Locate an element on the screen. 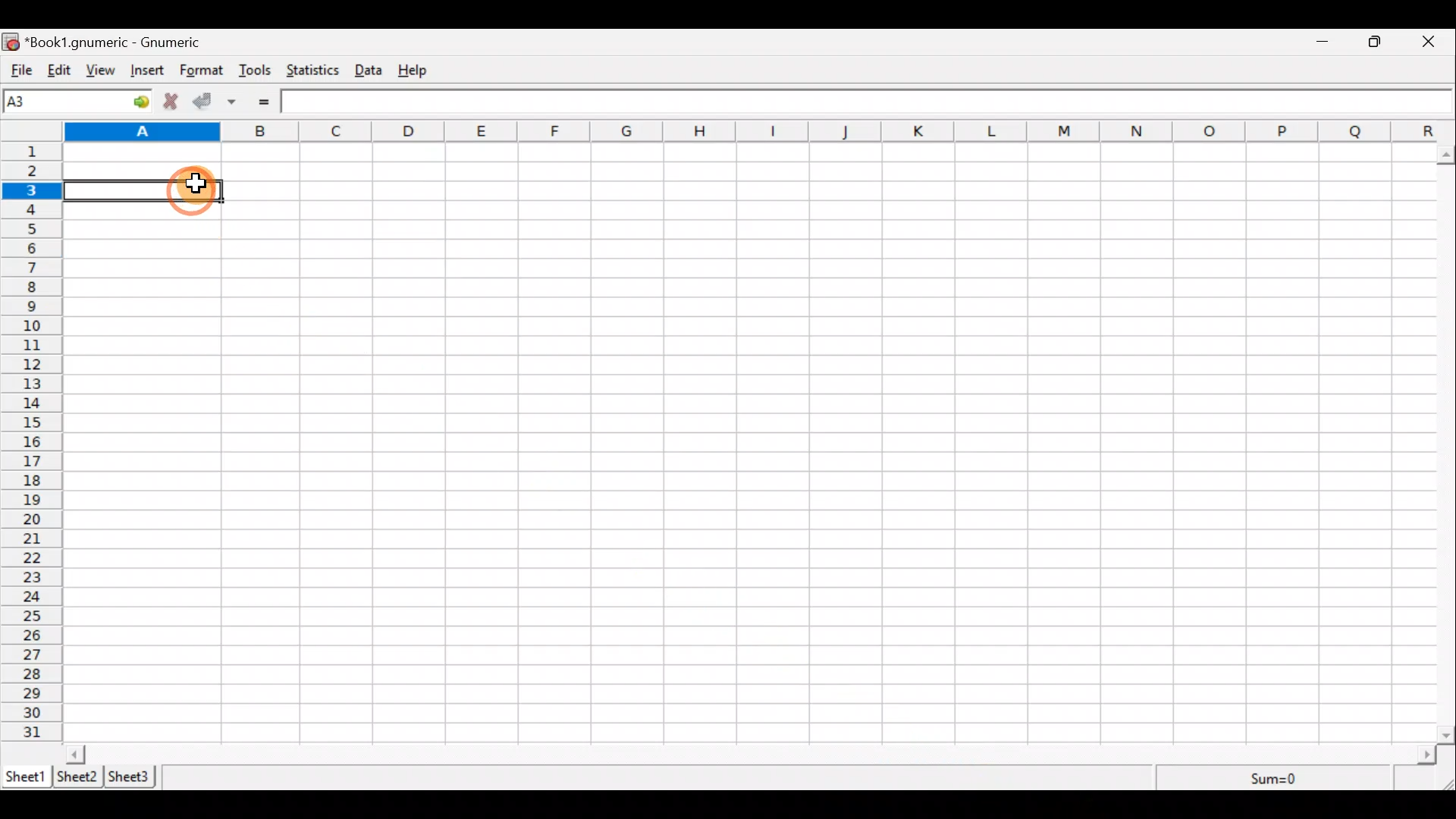 The width and height of the screenshot is (1456, 819). Scroll bar is located at coordinates (752, 754).